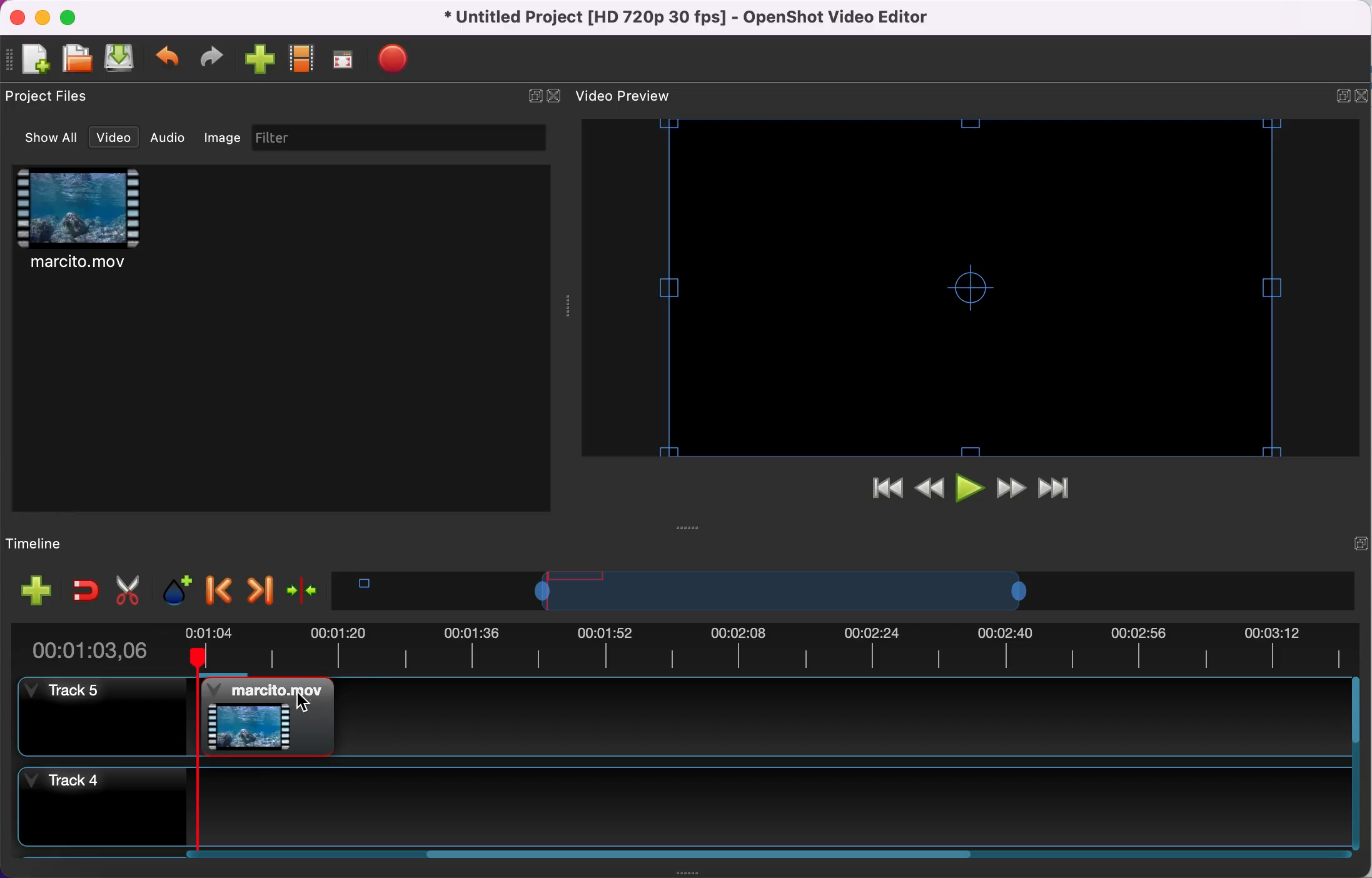  Describe the element at coordinates (753, 805) in the screenshot. I see `timeline` at that location.